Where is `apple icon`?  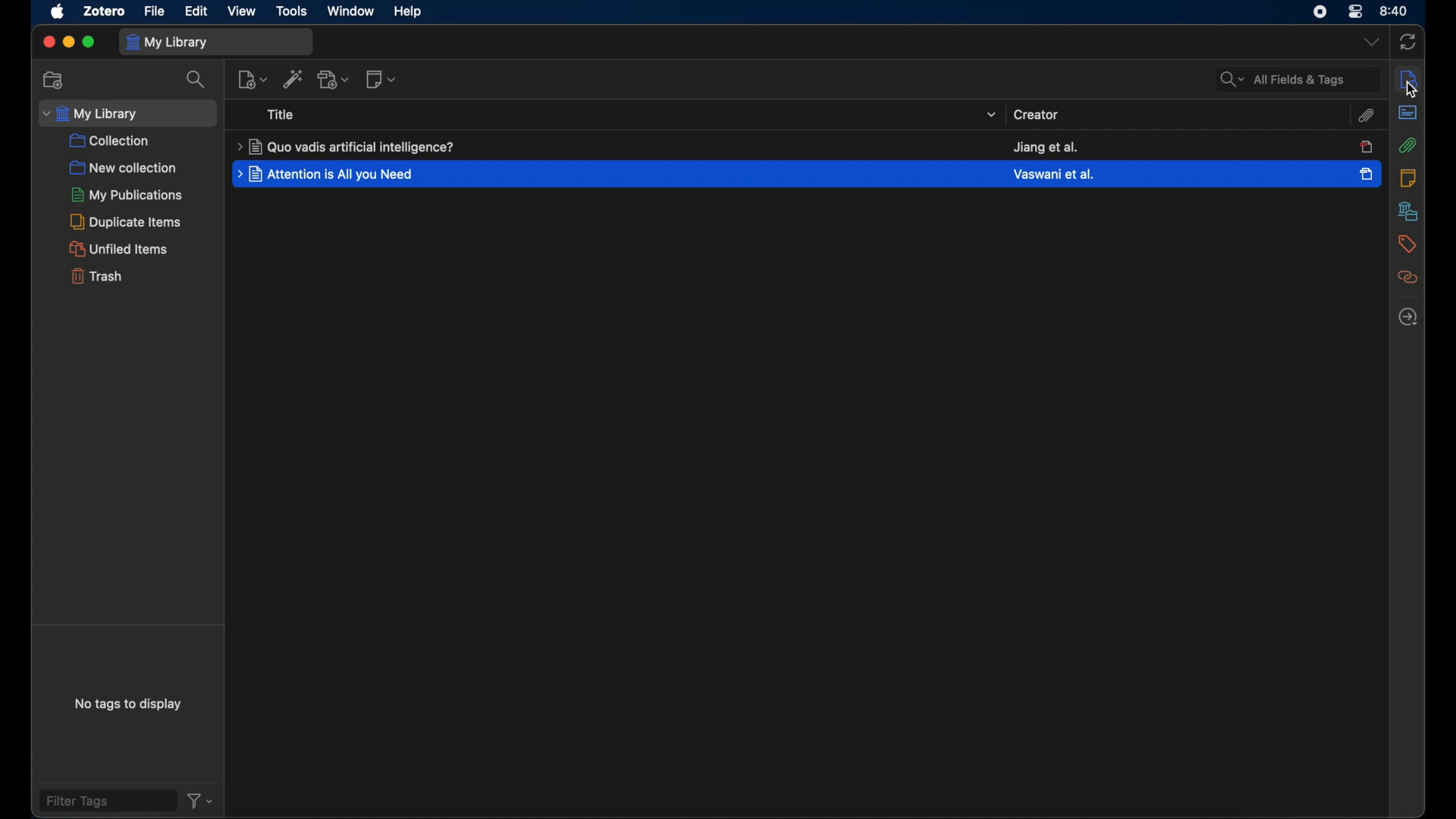
apple icon is located at coordinates (56, 12).